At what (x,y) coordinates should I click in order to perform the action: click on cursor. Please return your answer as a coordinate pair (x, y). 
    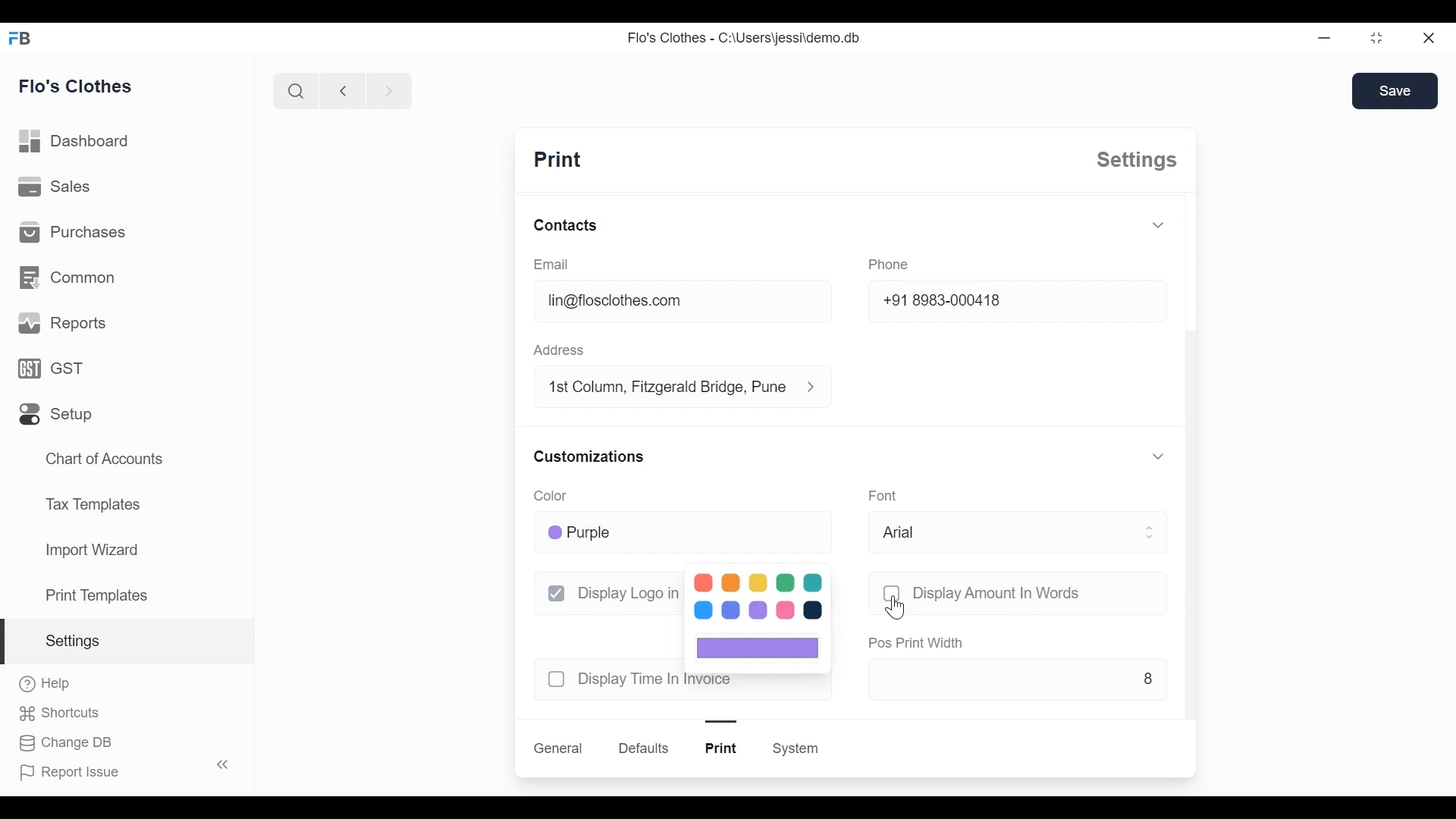
    Looking at the image, I should click on (895, 608).